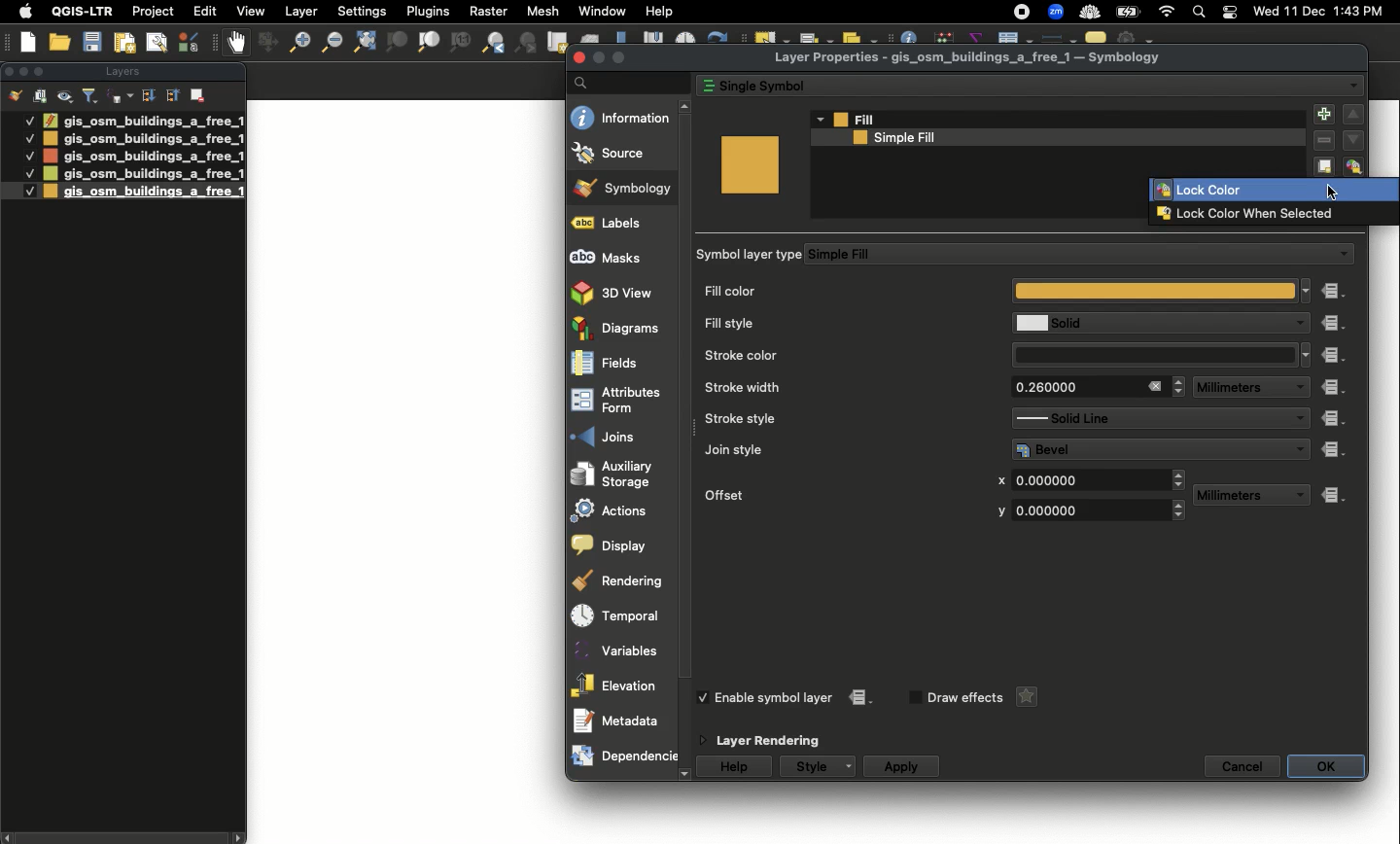 The height and width of the screenshot is (844, 1400). I want to click on Elevation, so click(617, 685).